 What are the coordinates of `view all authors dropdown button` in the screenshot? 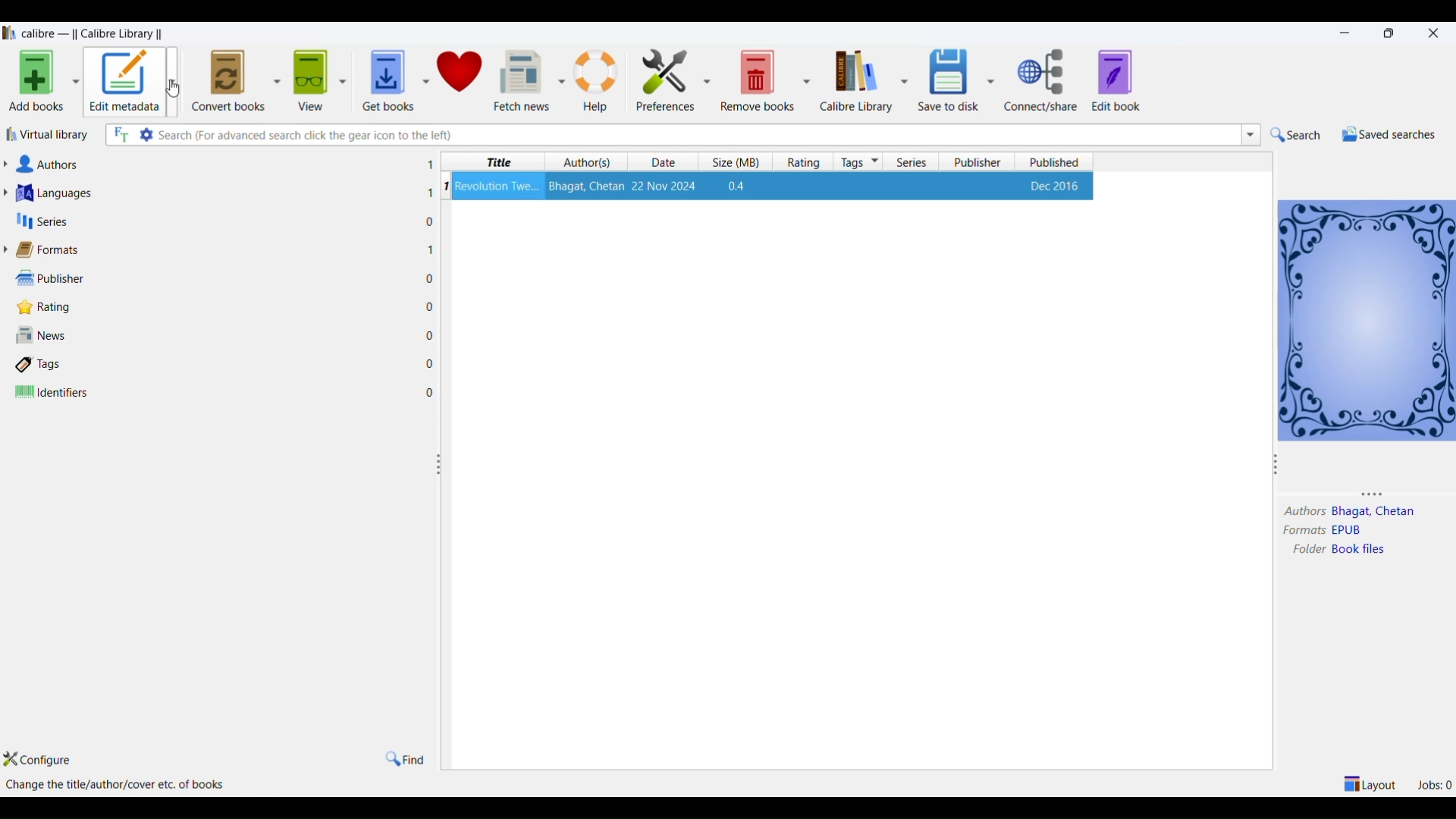 It's located at (9, 164).